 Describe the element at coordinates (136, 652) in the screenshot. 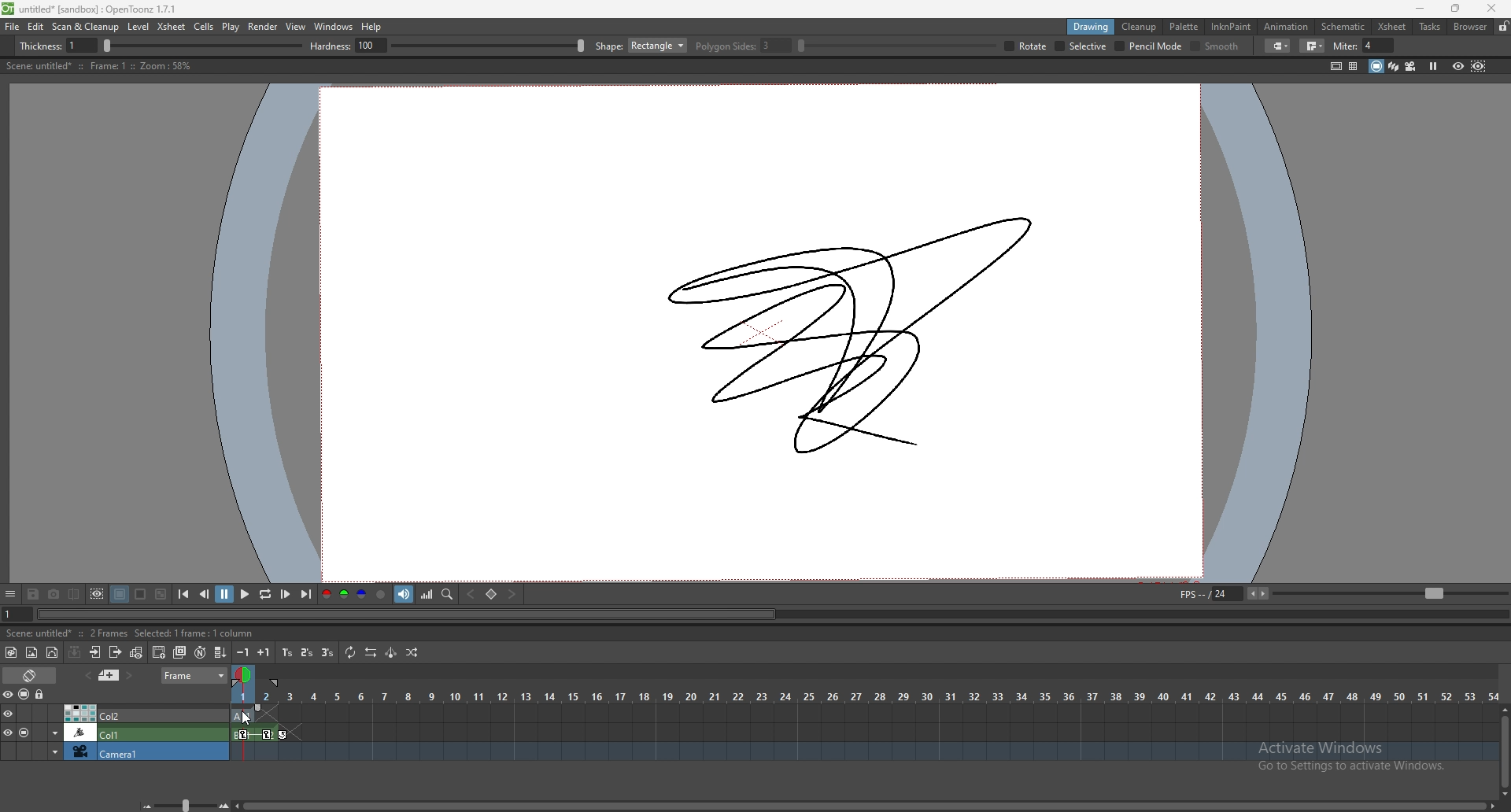

I see `toggle edit in place` at that location.